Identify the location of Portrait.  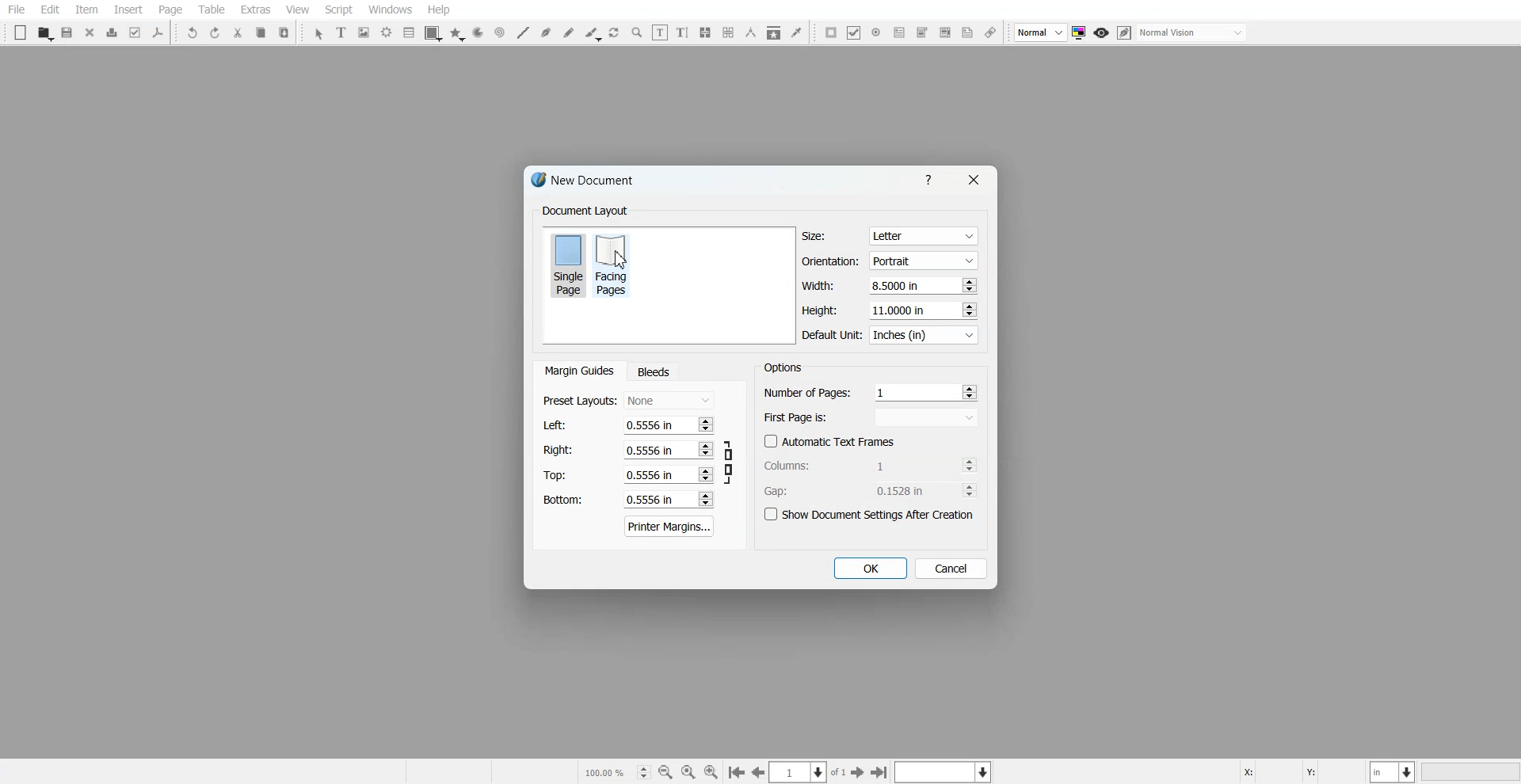
(922, 260).